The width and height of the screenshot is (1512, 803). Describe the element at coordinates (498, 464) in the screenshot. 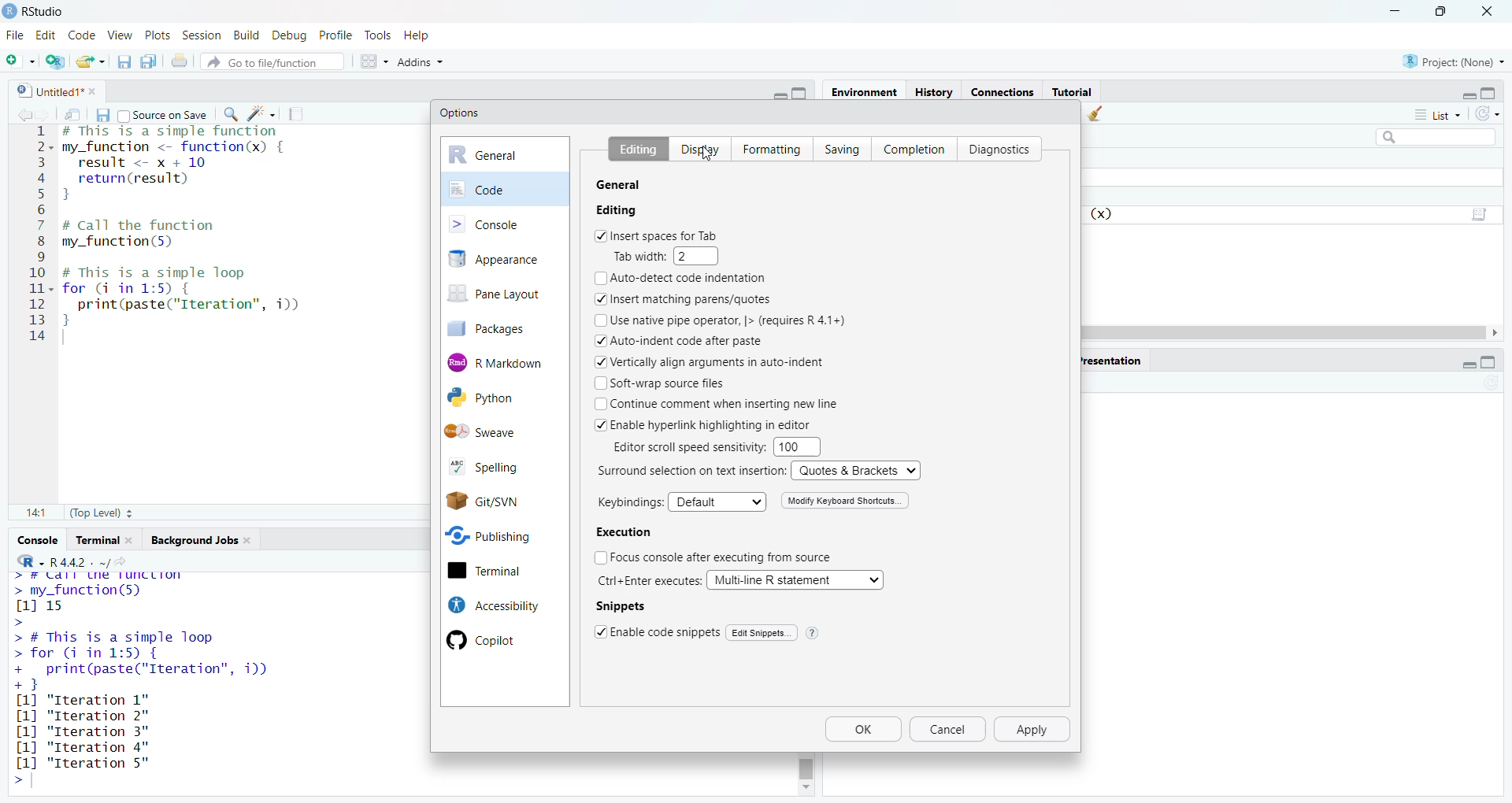

I see `spelling` at that location.